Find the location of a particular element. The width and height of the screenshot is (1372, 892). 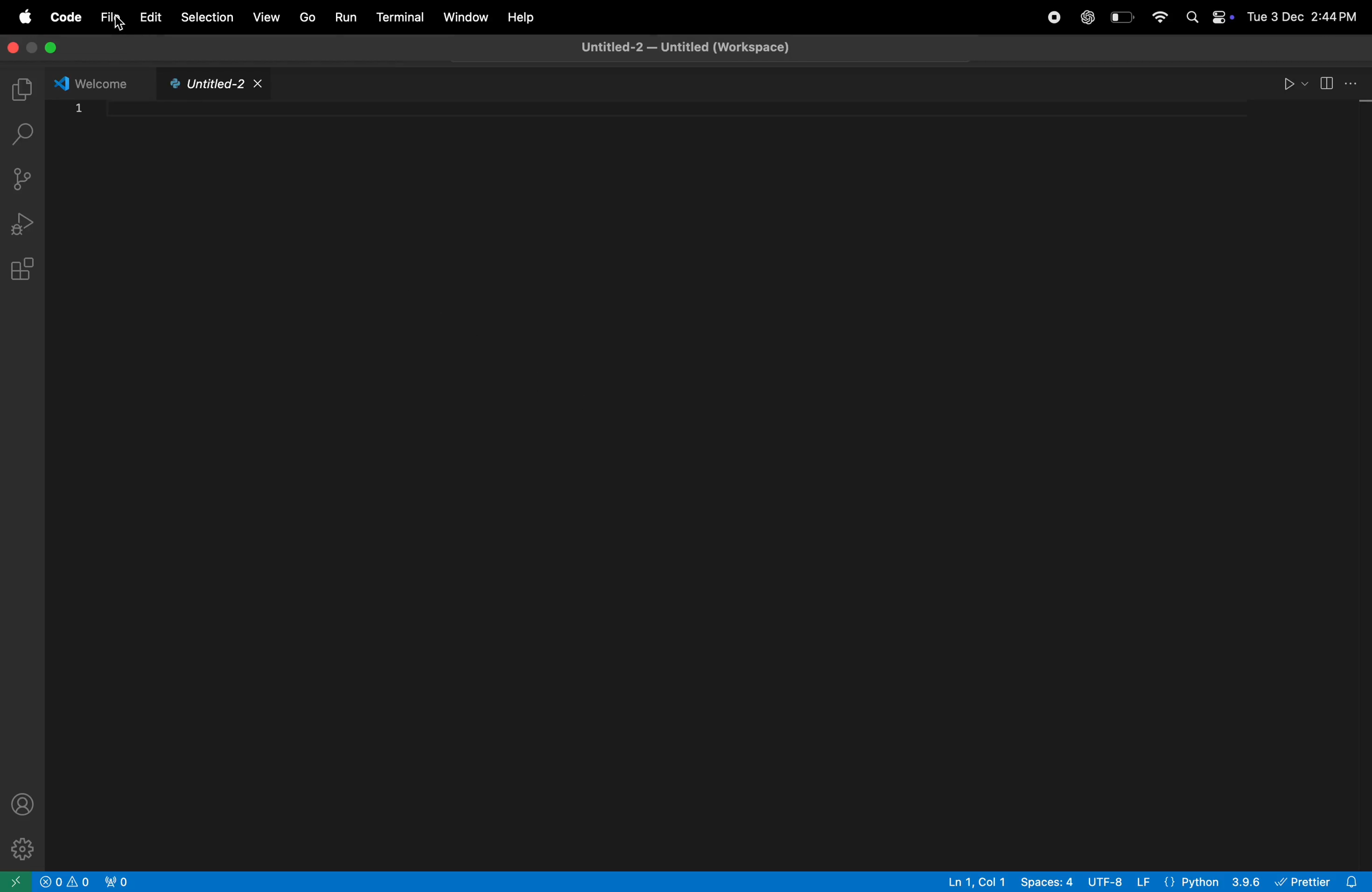

utf 8 is located at coordinates (1121, 882).